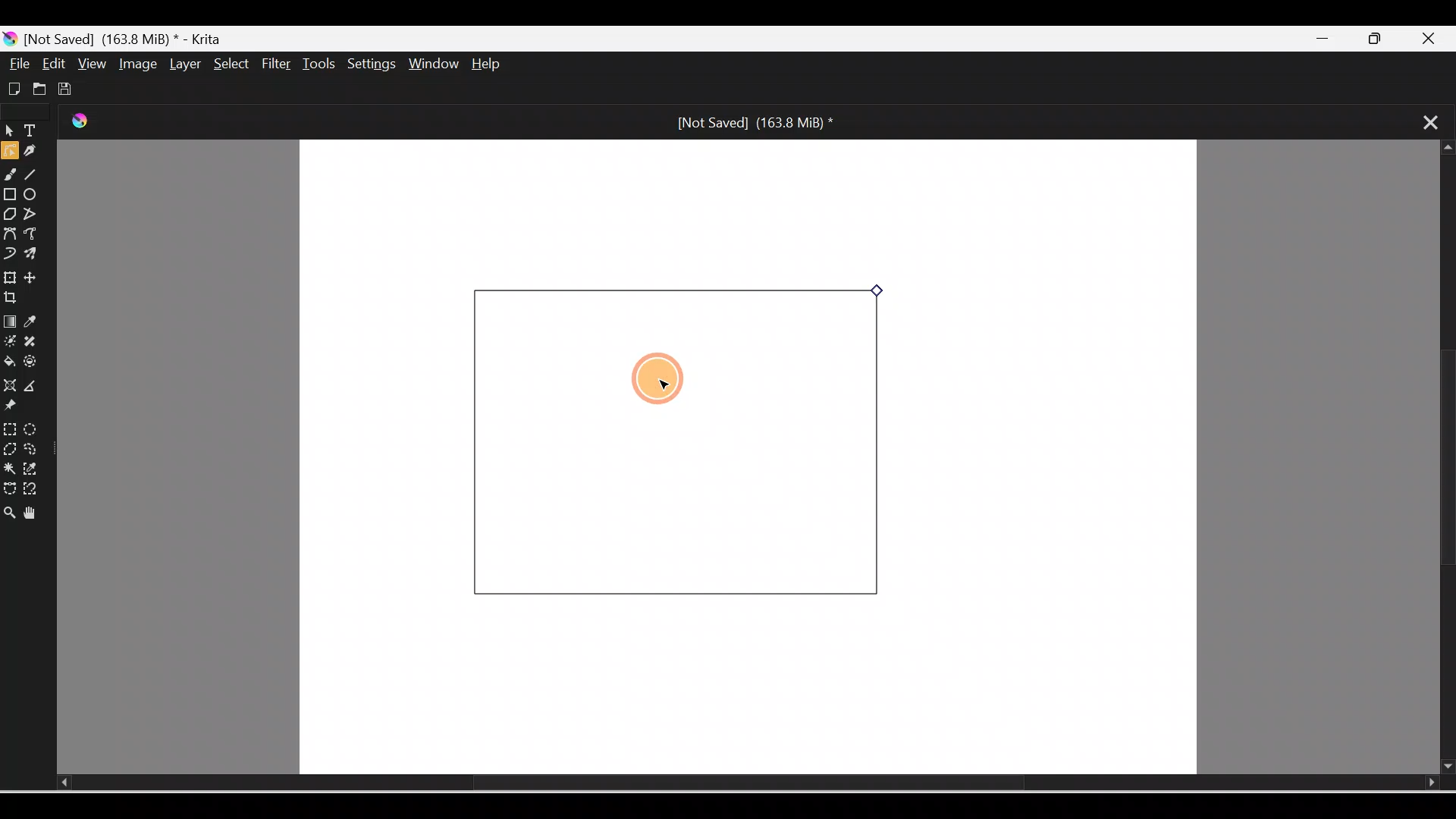  Describe the element at coordinates (12, 177) in the screenshot. I see `Freehand brush tool` at that location.